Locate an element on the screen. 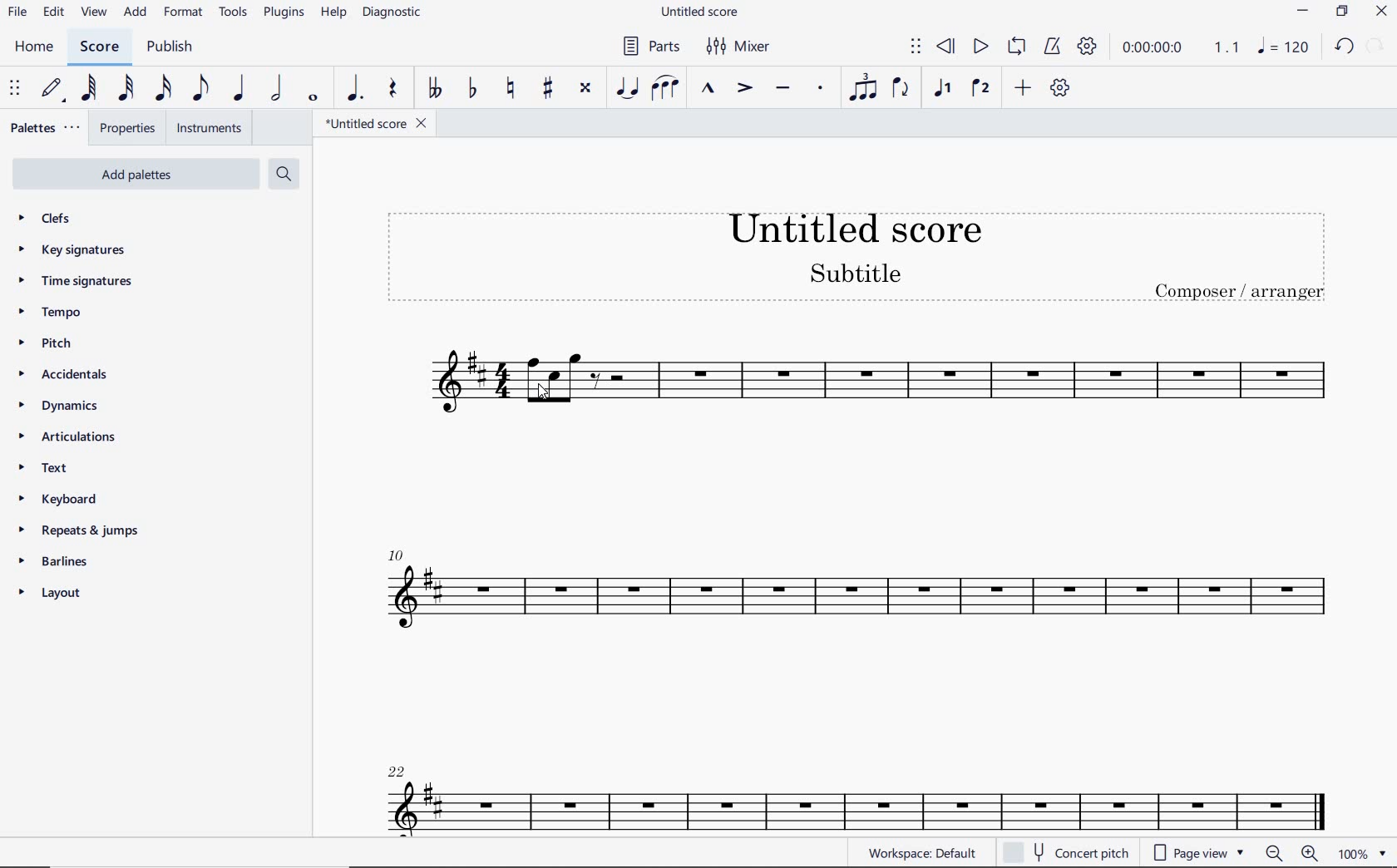  16TH NOTE is located at coordinates (163, 88).